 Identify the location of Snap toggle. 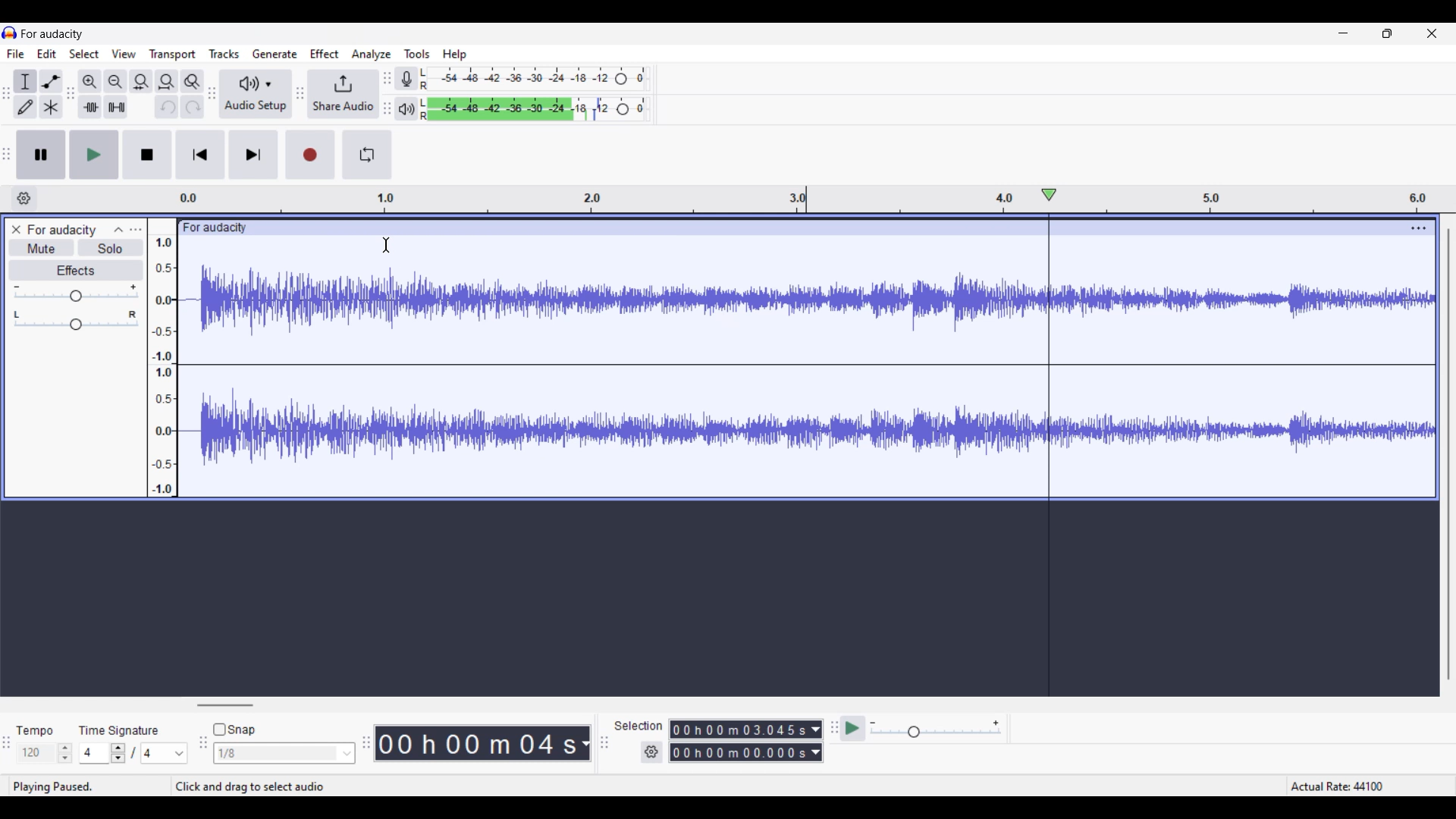
(234, 730).